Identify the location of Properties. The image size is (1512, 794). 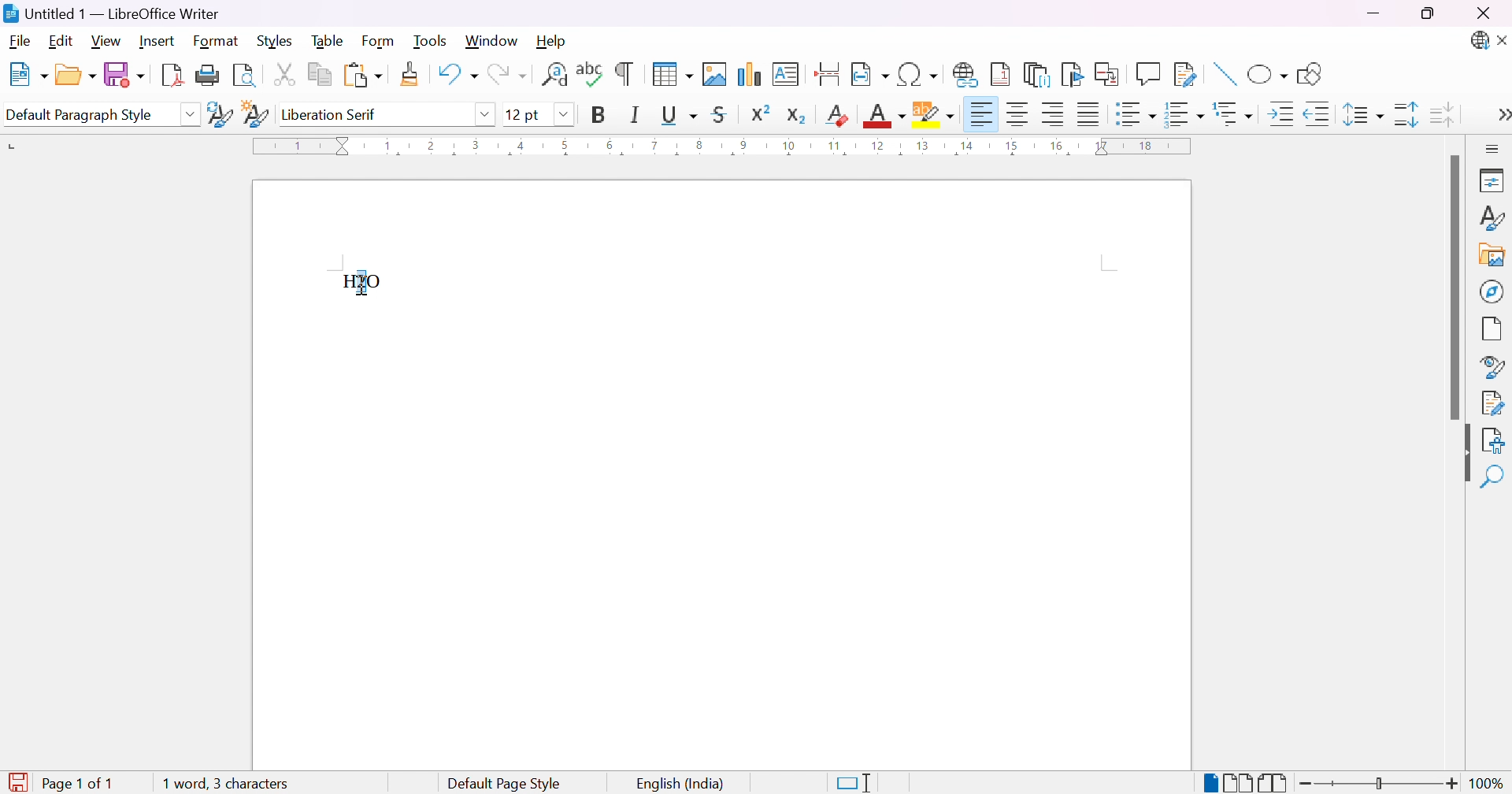
(1494, 180).